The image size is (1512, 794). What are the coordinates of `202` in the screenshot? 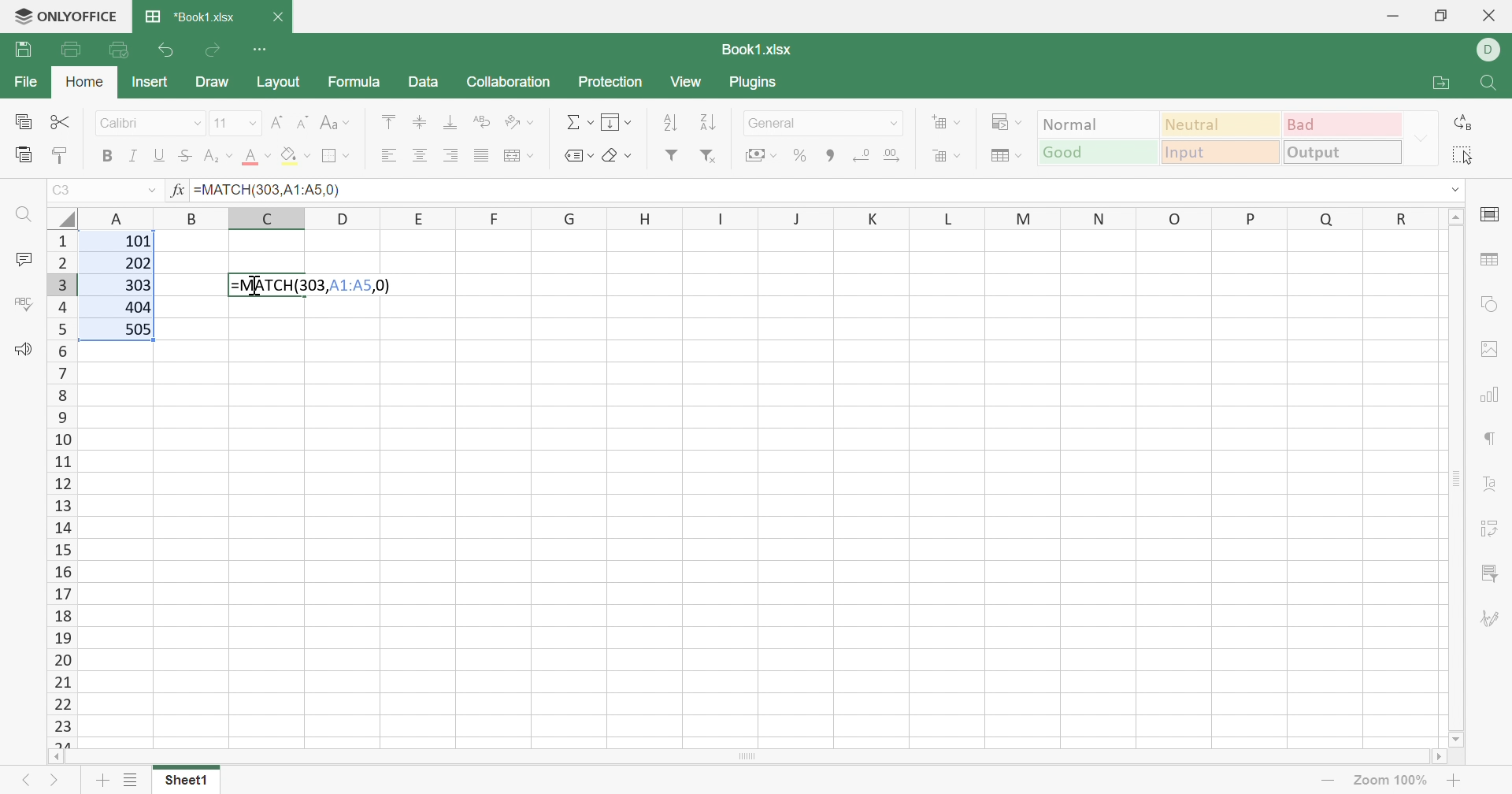 It's located at (138, 266).